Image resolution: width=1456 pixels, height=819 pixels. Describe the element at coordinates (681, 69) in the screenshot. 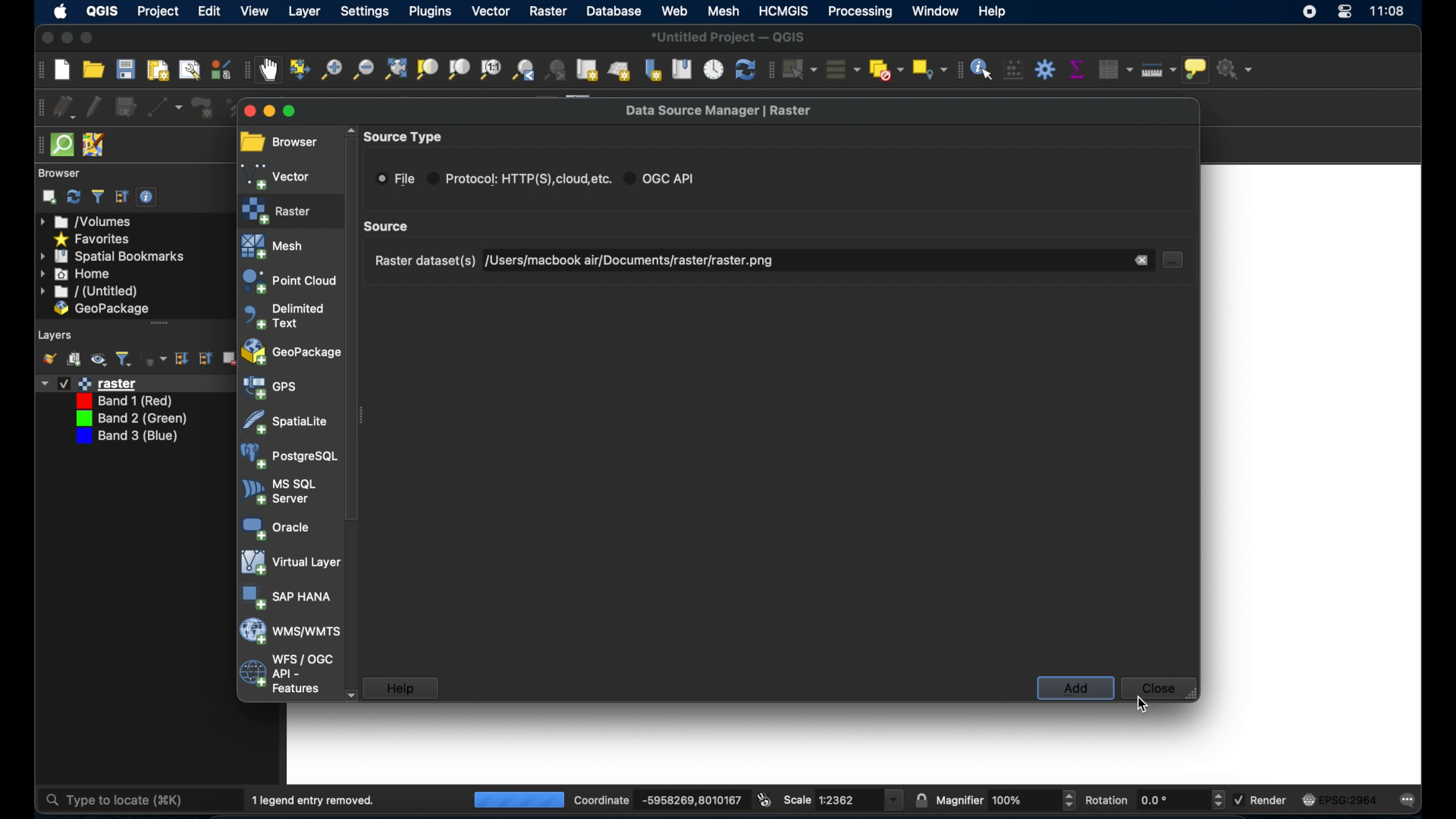

I see `show spatial bookmarks` at that location.